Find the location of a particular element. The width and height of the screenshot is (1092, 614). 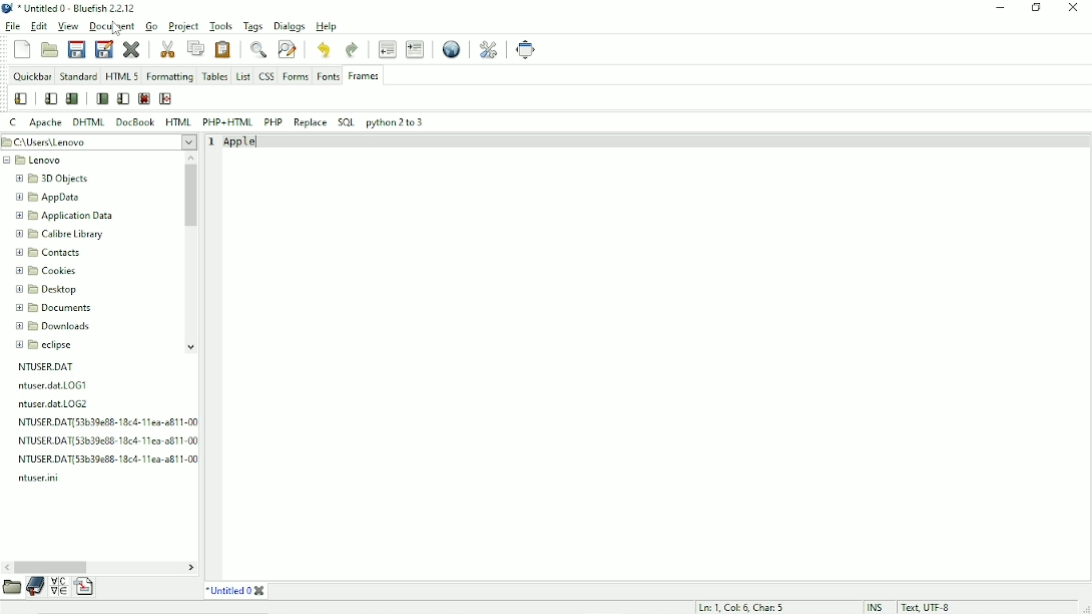

Fullscreen is located at coordinates (525, 48).